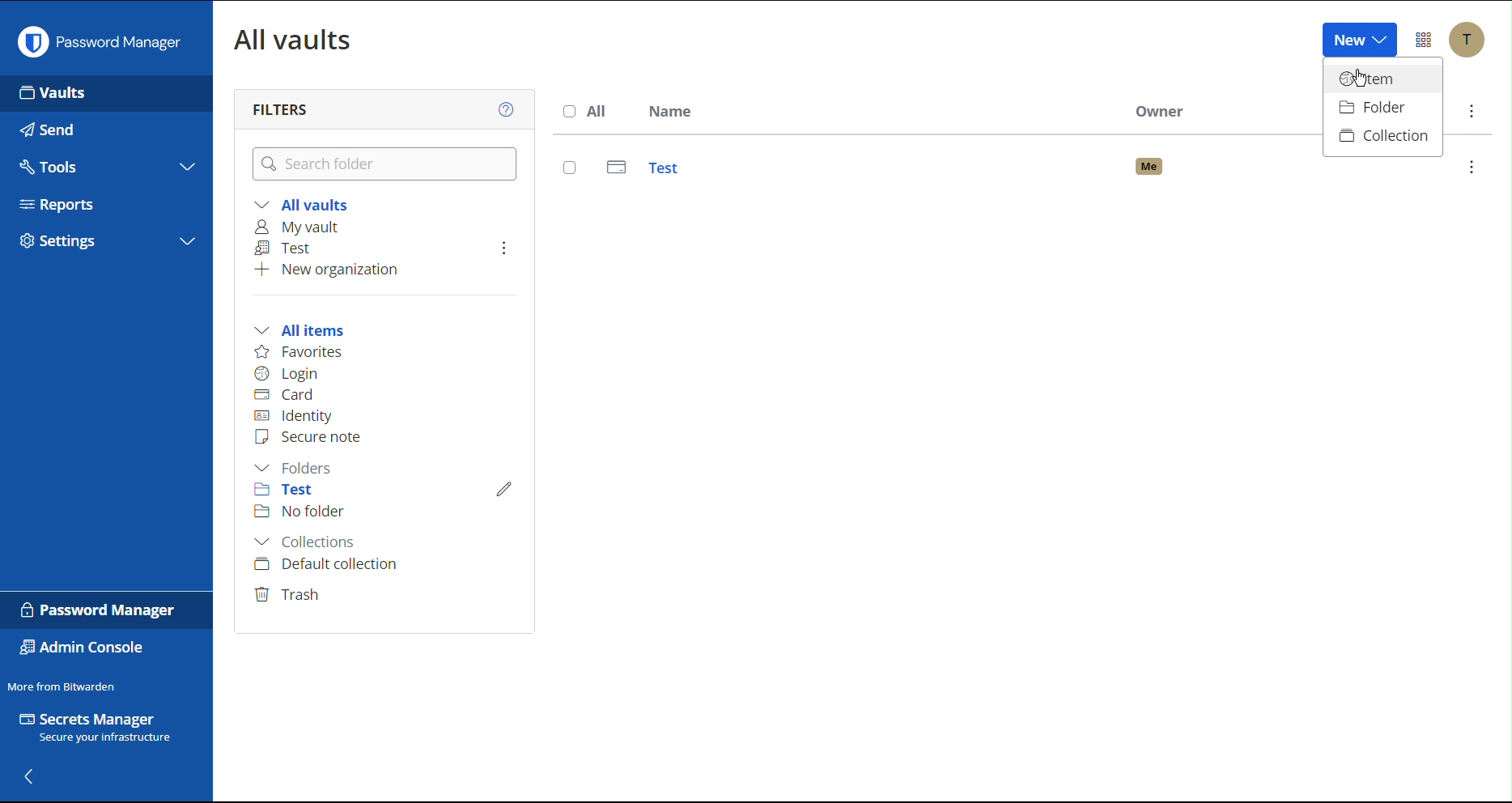 This screenshot has height=803, width=1512. Describe the element at coordinates (100, 610) in the screenshot. I see `Password Manager` at that location.